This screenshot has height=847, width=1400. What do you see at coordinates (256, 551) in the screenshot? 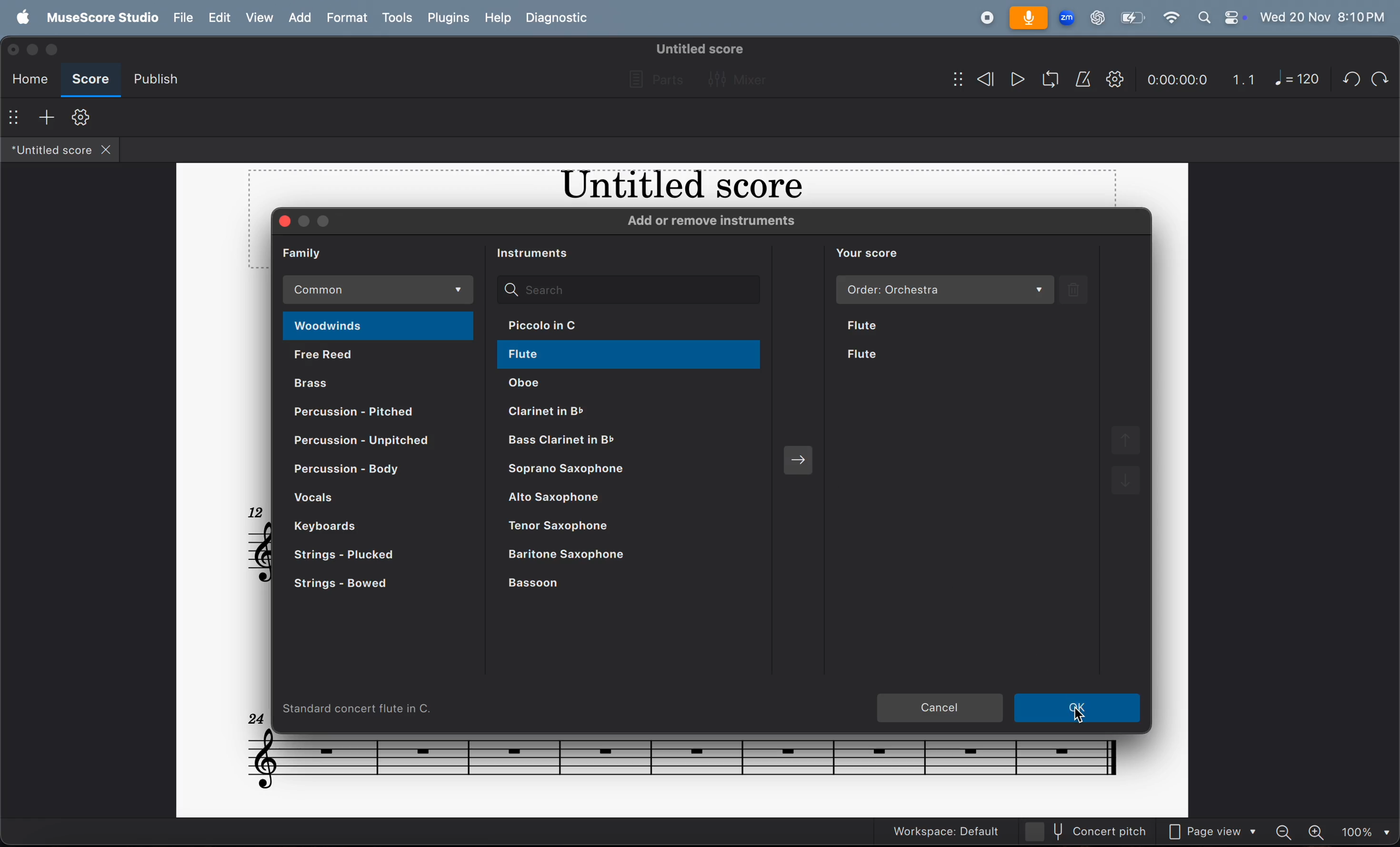
I see `notes` at bounding box center [256, 551].